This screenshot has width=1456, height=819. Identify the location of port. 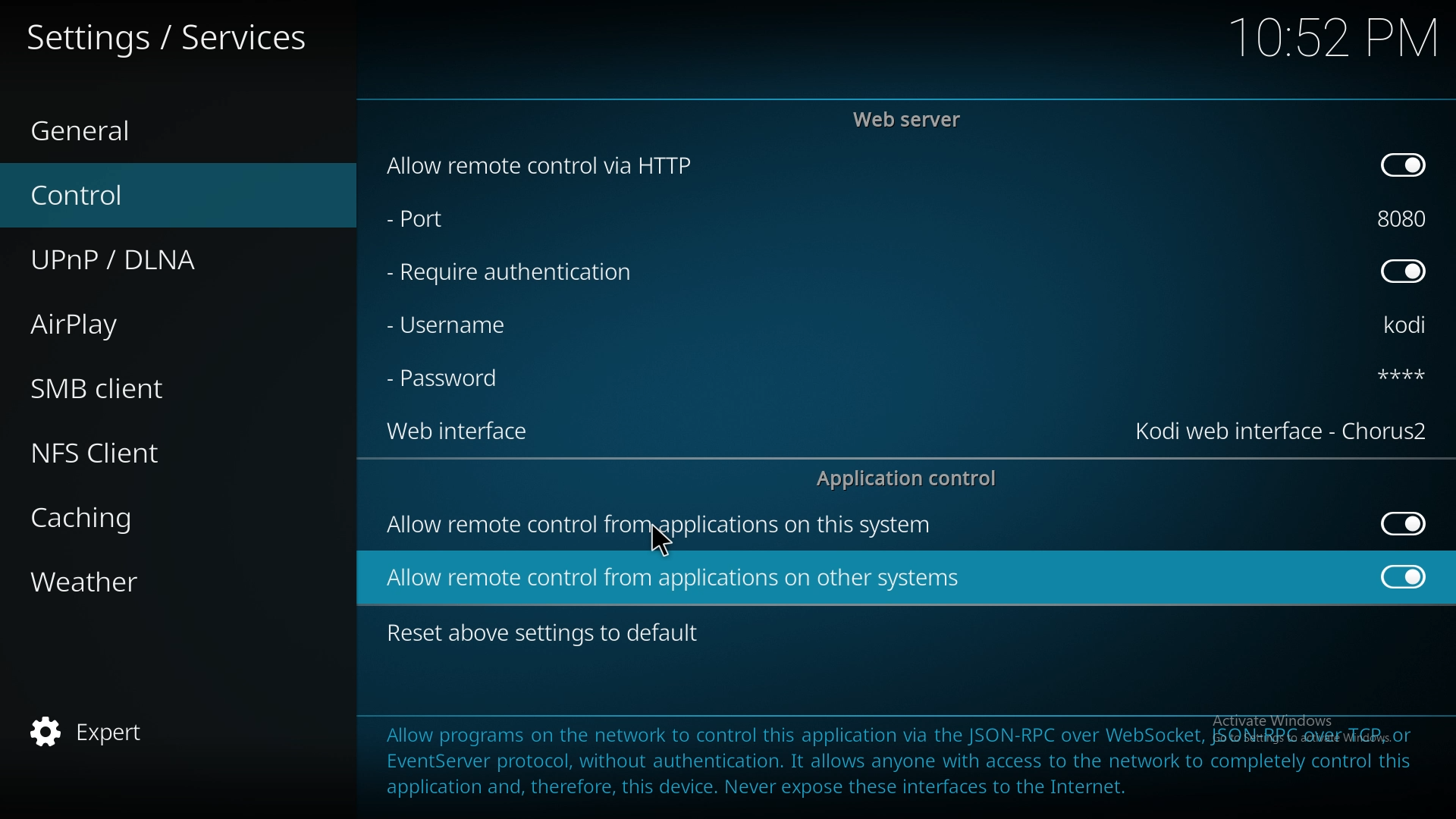
(453, 221).